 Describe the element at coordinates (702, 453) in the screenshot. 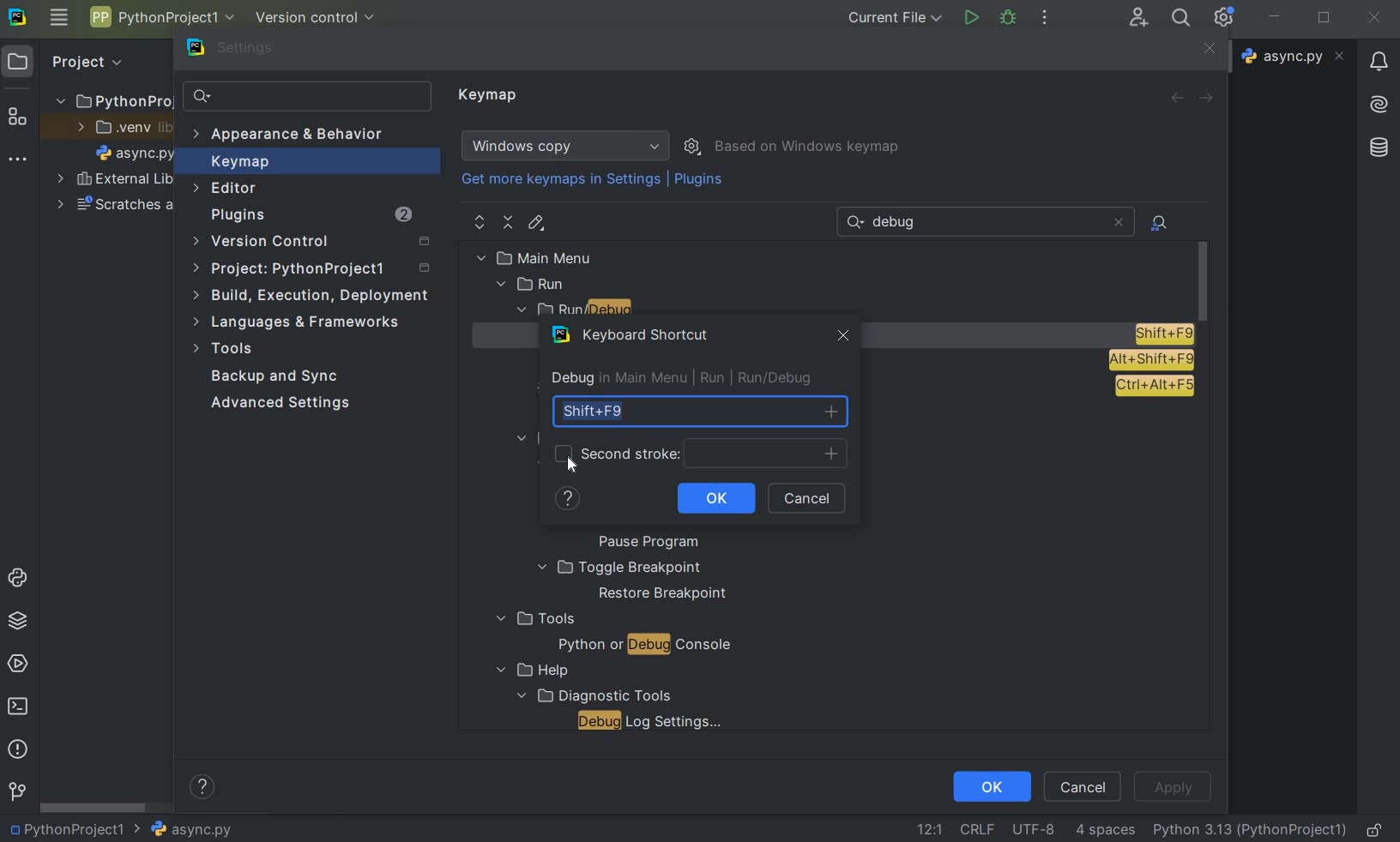

I see `second stroke` at that location.